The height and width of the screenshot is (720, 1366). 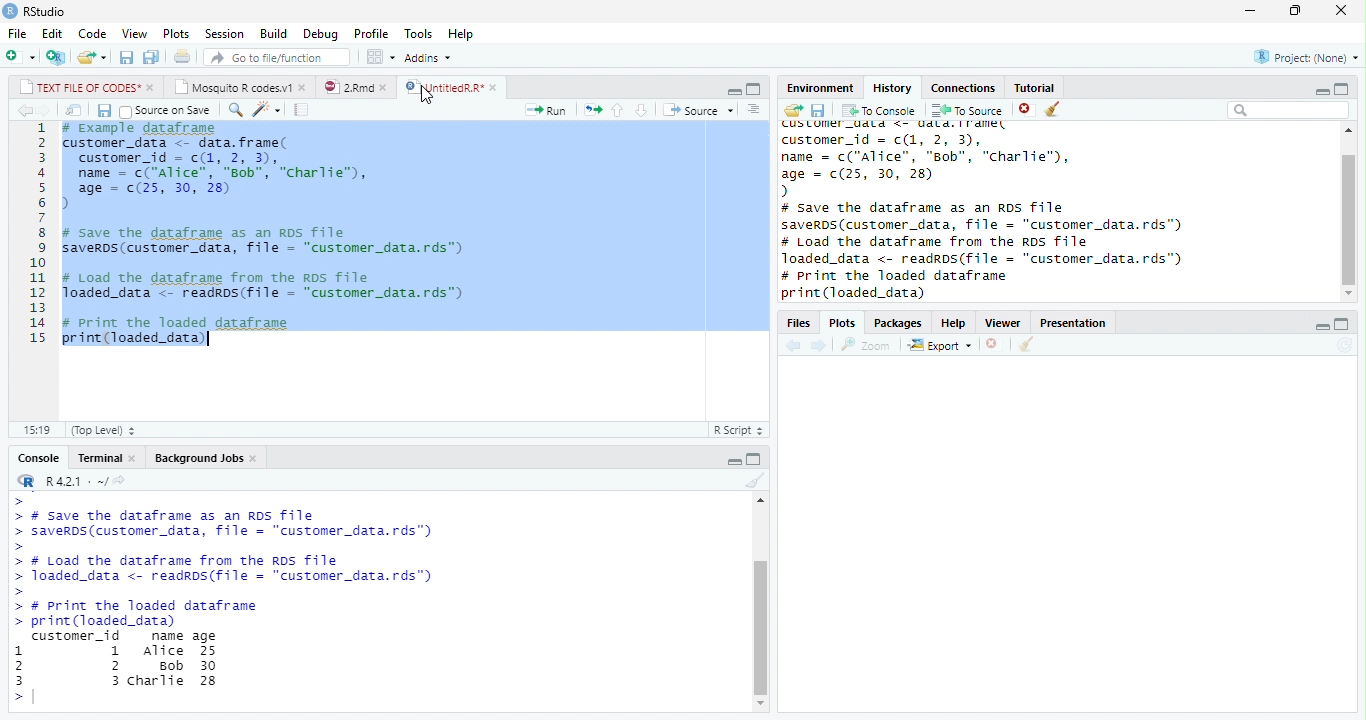 What do you see at coordinates (256, 459) in the screenshot?
I see `close` at bounding box center [256, 459].